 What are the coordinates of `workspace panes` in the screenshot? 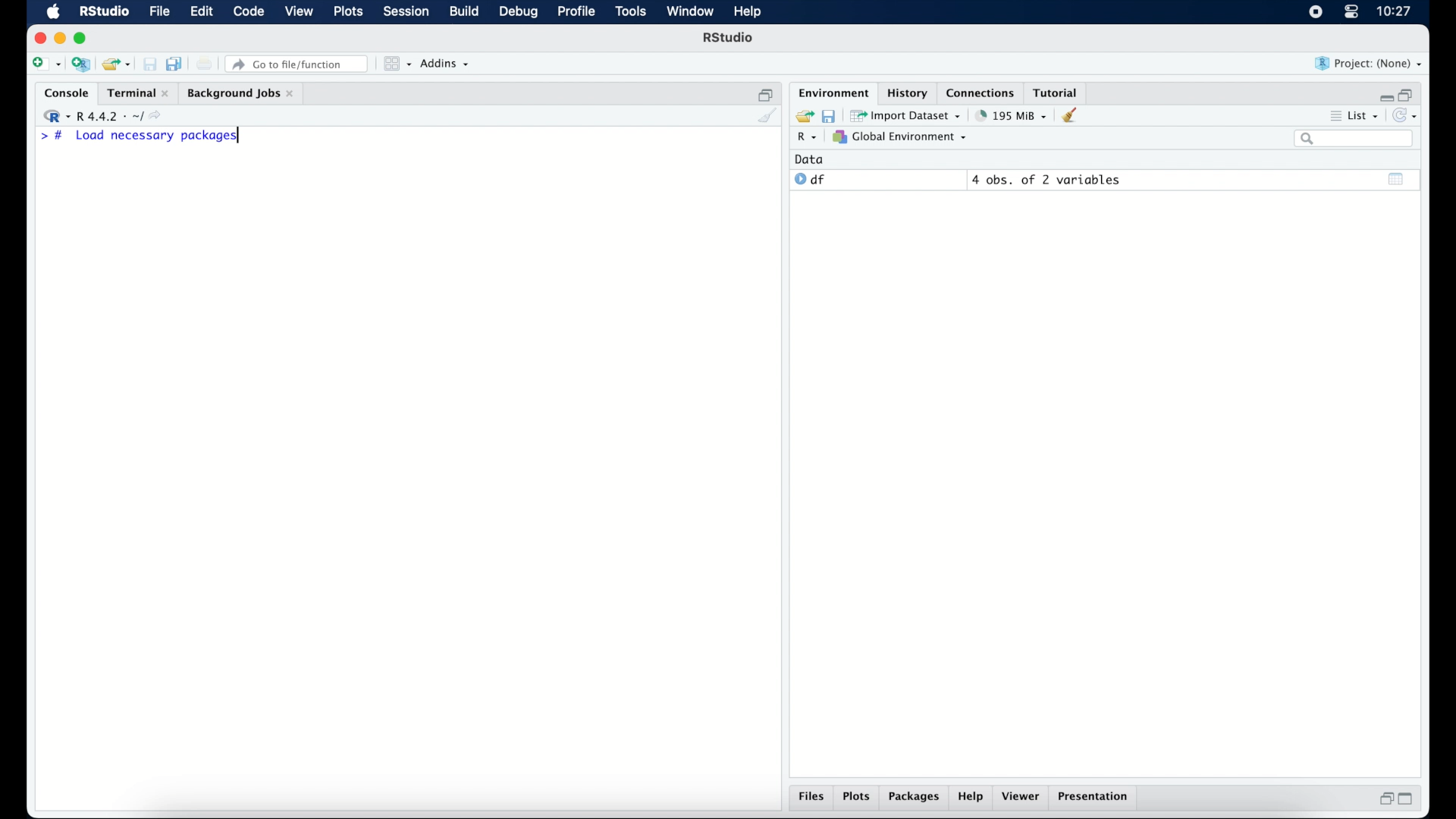 It's located at (396, 64).